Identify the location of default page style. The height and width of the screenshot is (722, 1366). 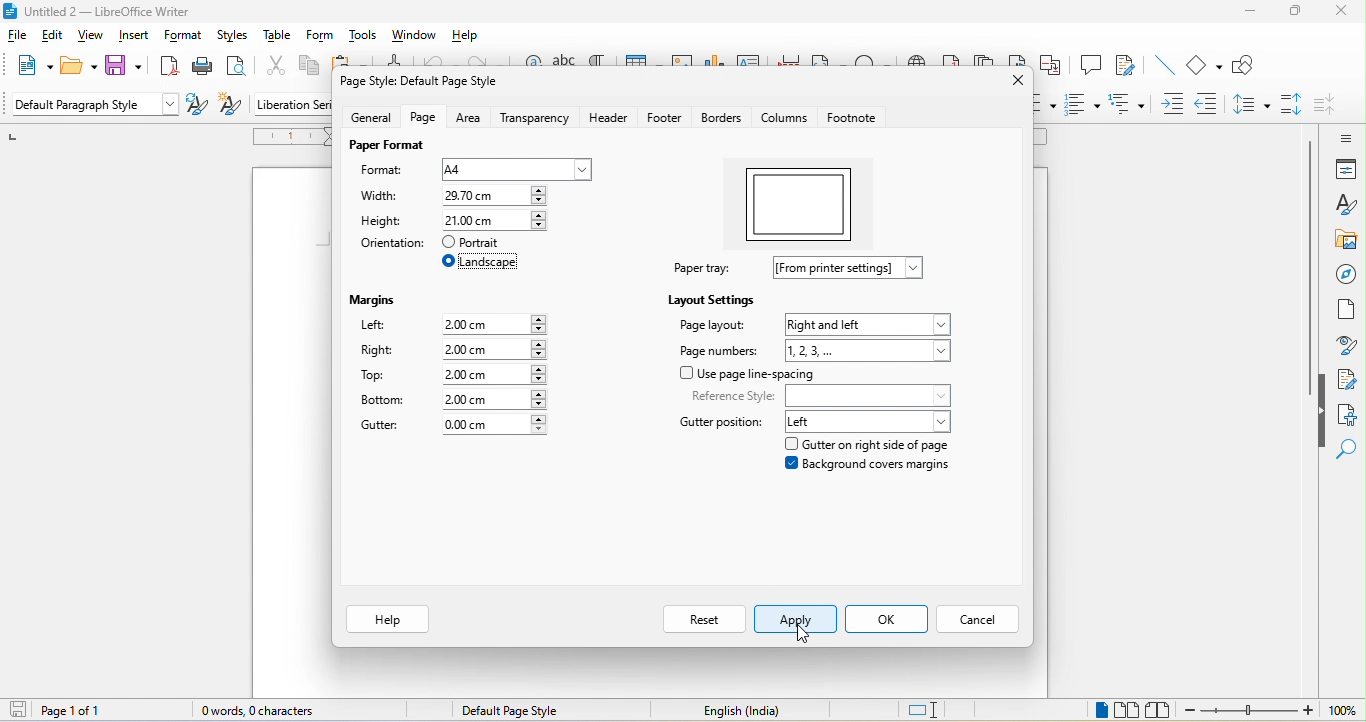
(522, 711).